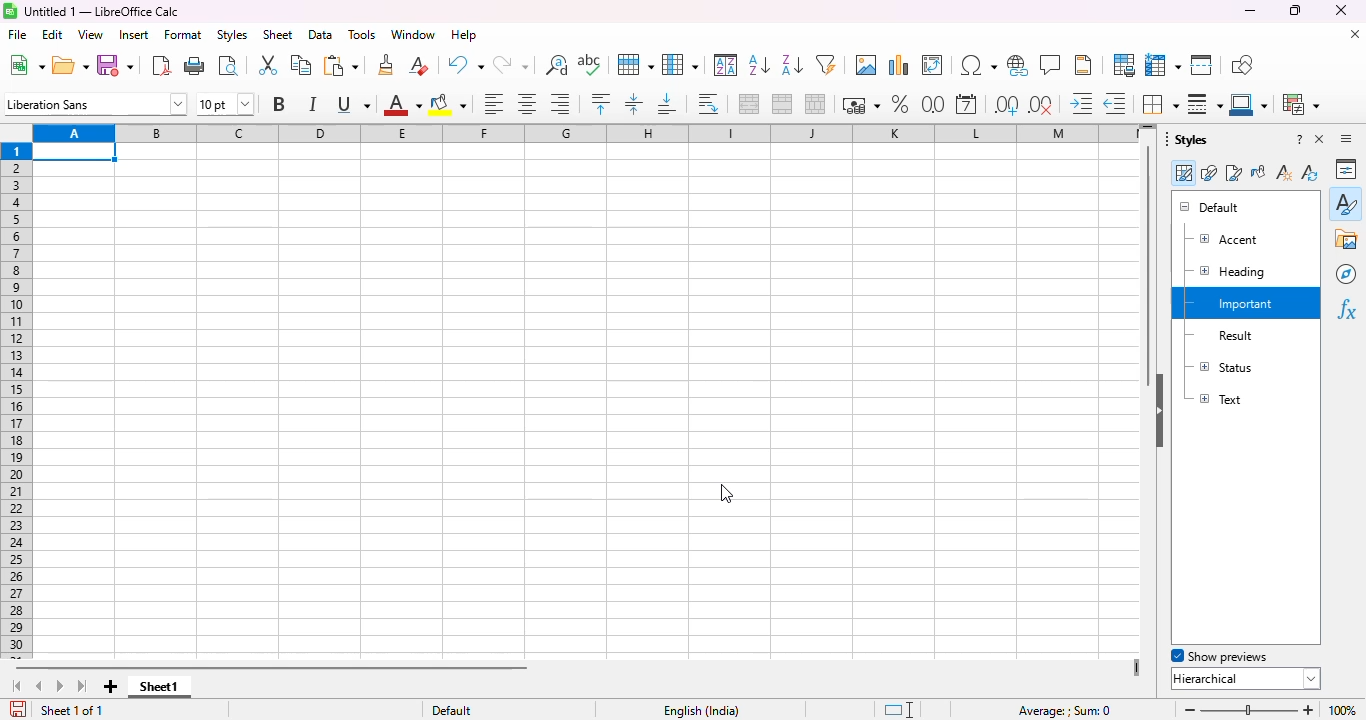 The width and height of the screenshot is (1366, 720). What do you see at coordinates (934, 104) in the screenshot?
I see `format as number` at bounding box center [934, 104].